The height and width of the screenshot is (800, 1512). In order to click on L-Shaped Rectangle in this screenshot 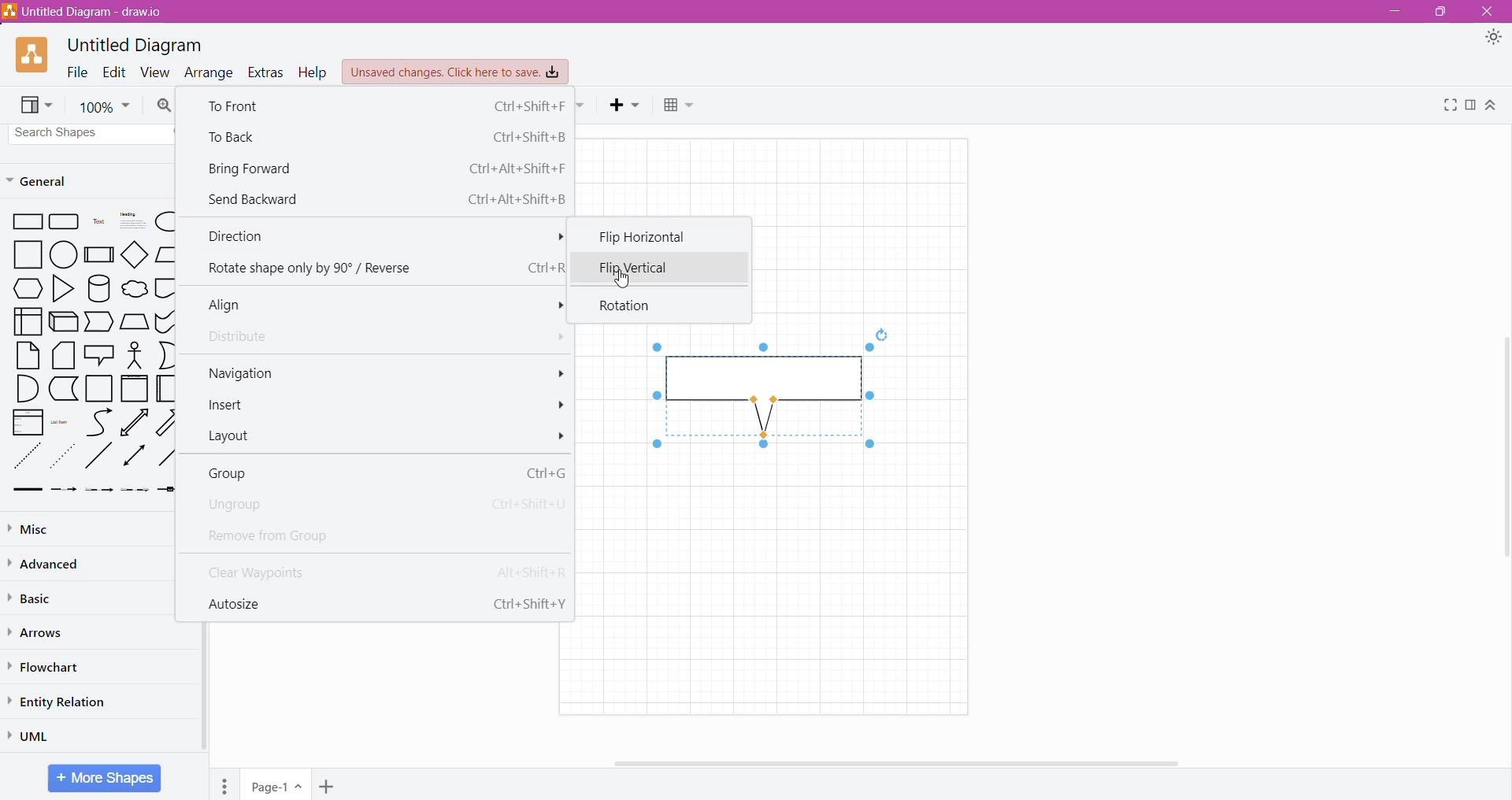, I will do `click(62, 389)`.